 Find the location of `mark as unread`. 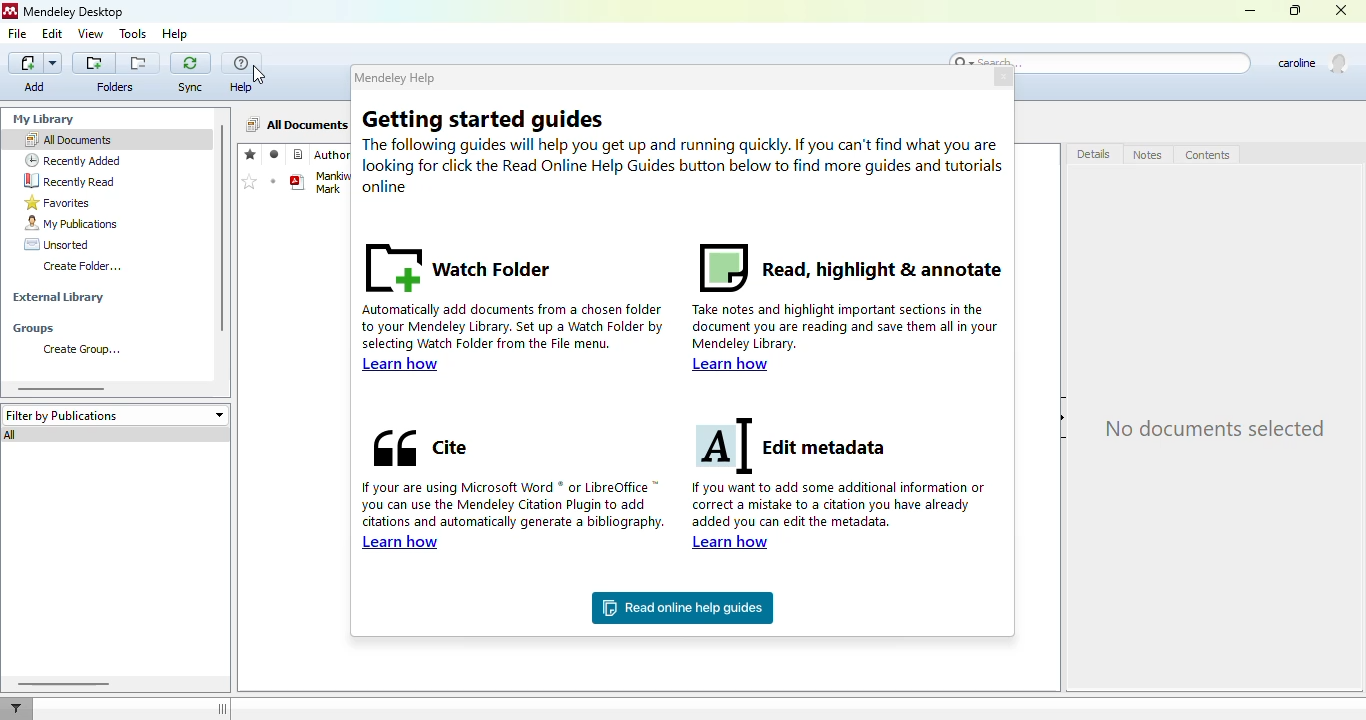

mark as unread is located at coordinates (274, 181).